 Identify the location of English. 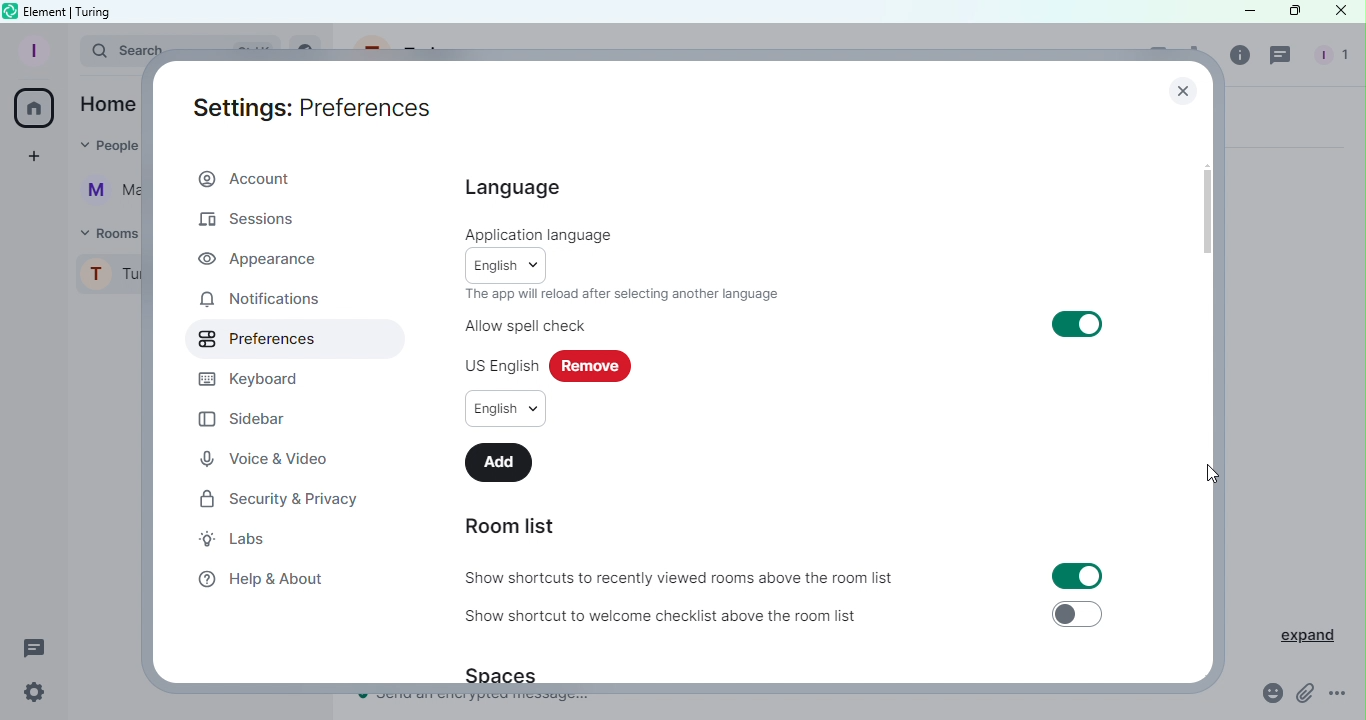
(507, 264).